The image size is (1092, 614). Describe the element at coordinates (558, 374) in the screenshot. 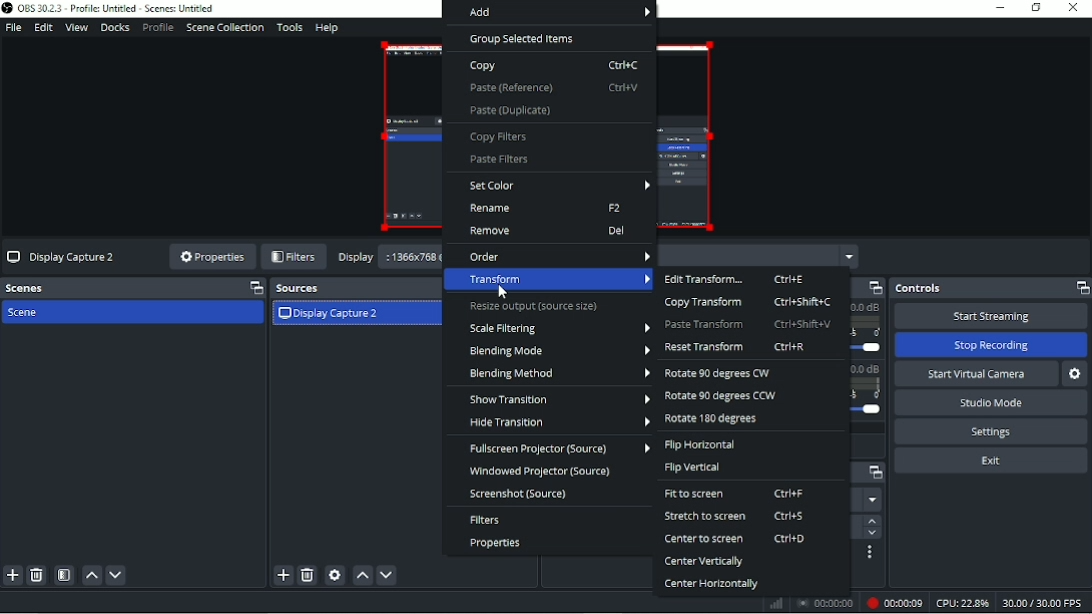

I see `Blending method` at that location.